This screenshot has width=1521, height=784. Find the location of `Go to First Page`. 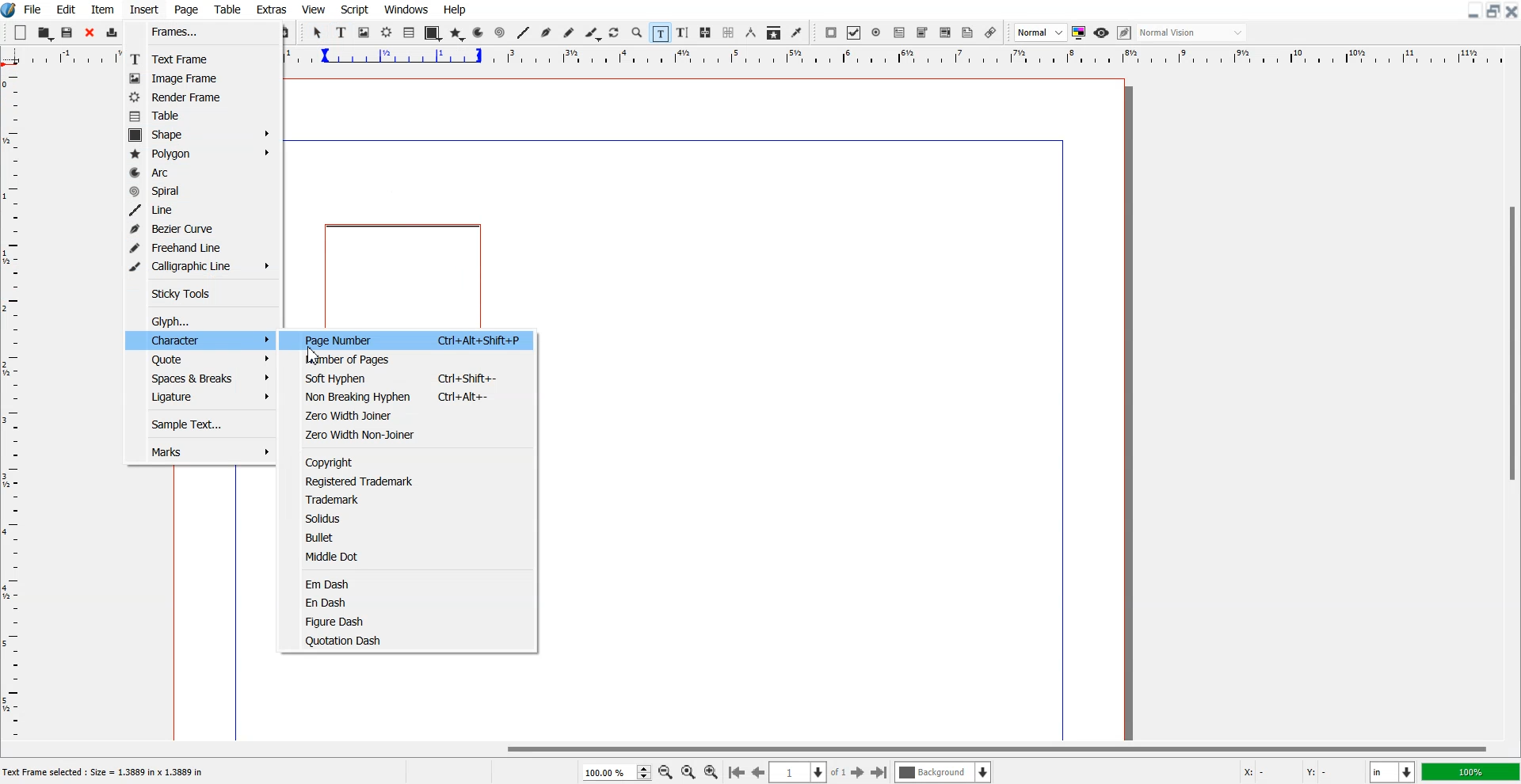

Go to First Page is located at coordinates (736, 771).